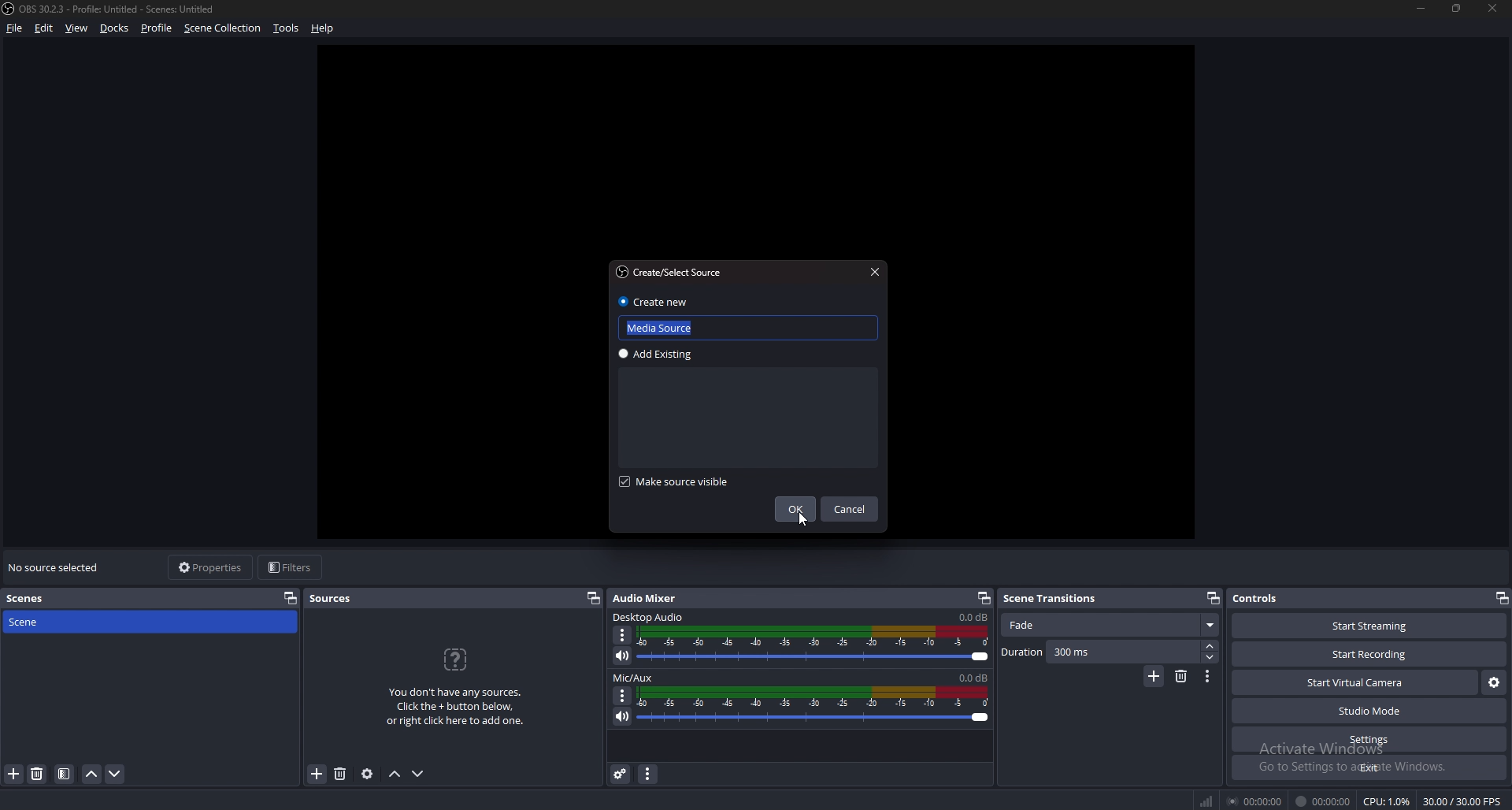  Describe the element at coordinates (1258, 598) in the screenshot. I see `Controls ` at that location.